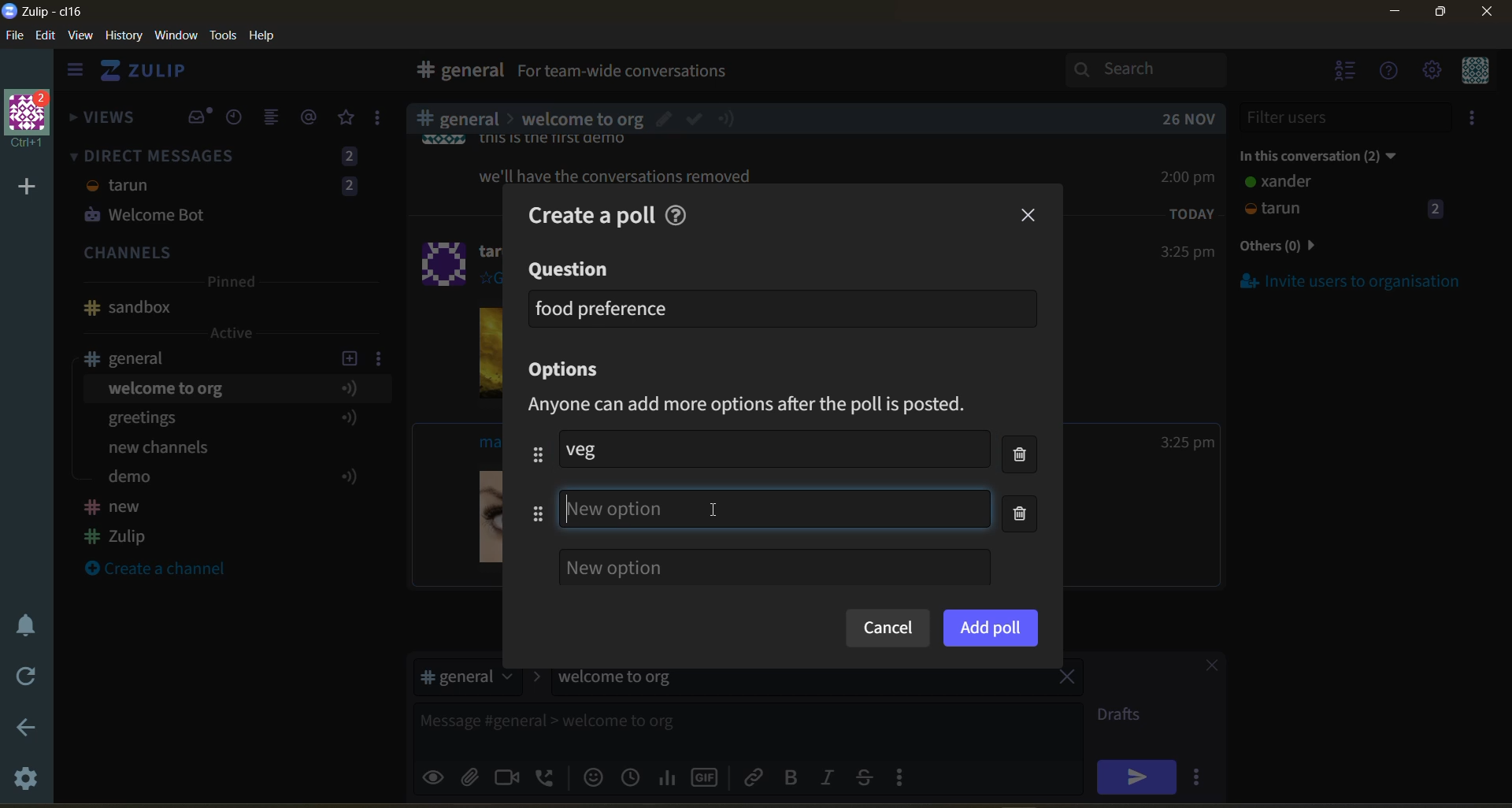 The width and height of the screenshot is (1512, 808). Describe the element at coordinates (46, 37) in the screenshot. I see `edit` at that location.